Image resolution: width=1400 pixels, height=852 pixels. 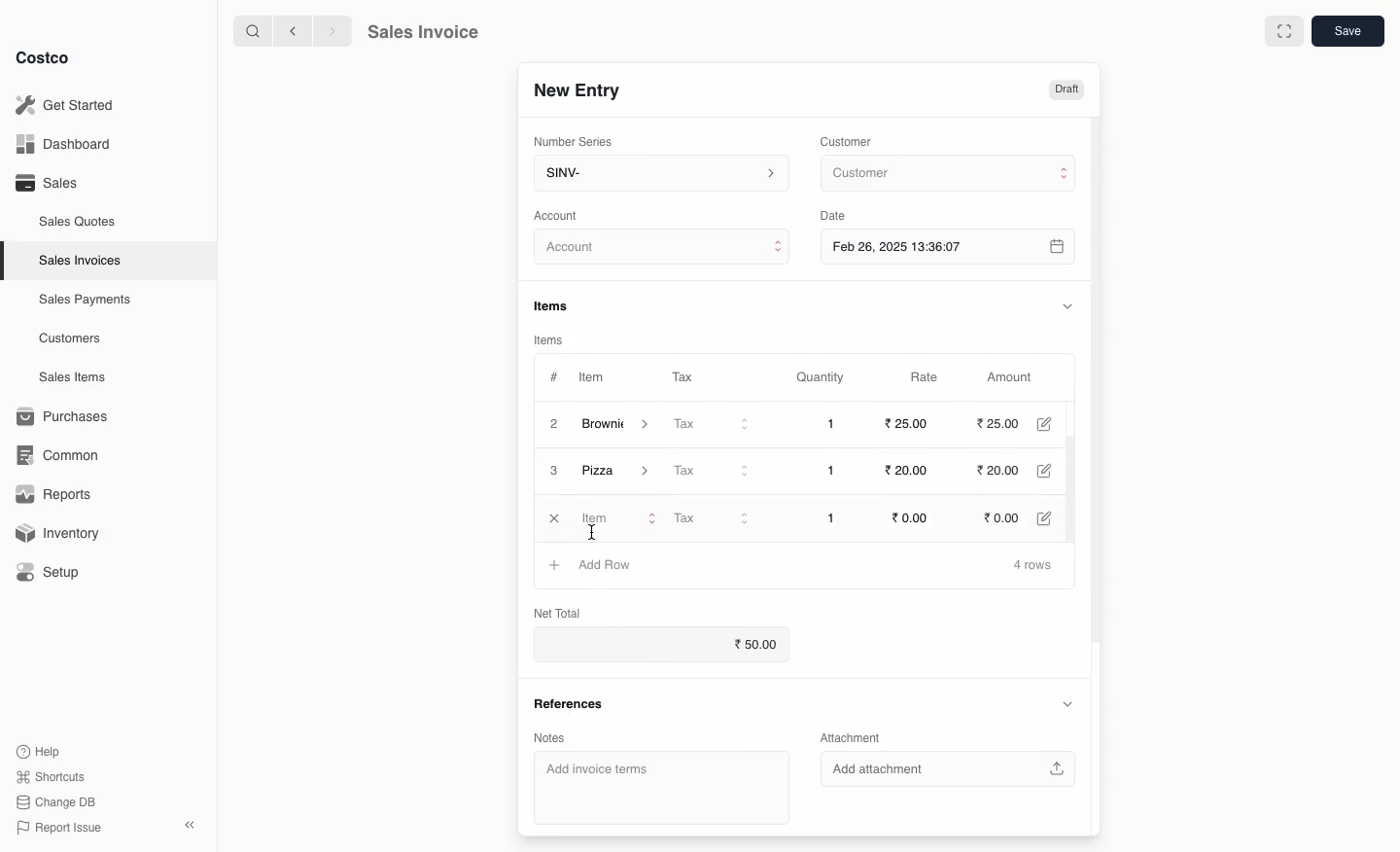 What do you see at coordinates (716, 518) in the screenshot?
I see `Tax` at bounding box center [716, 518].